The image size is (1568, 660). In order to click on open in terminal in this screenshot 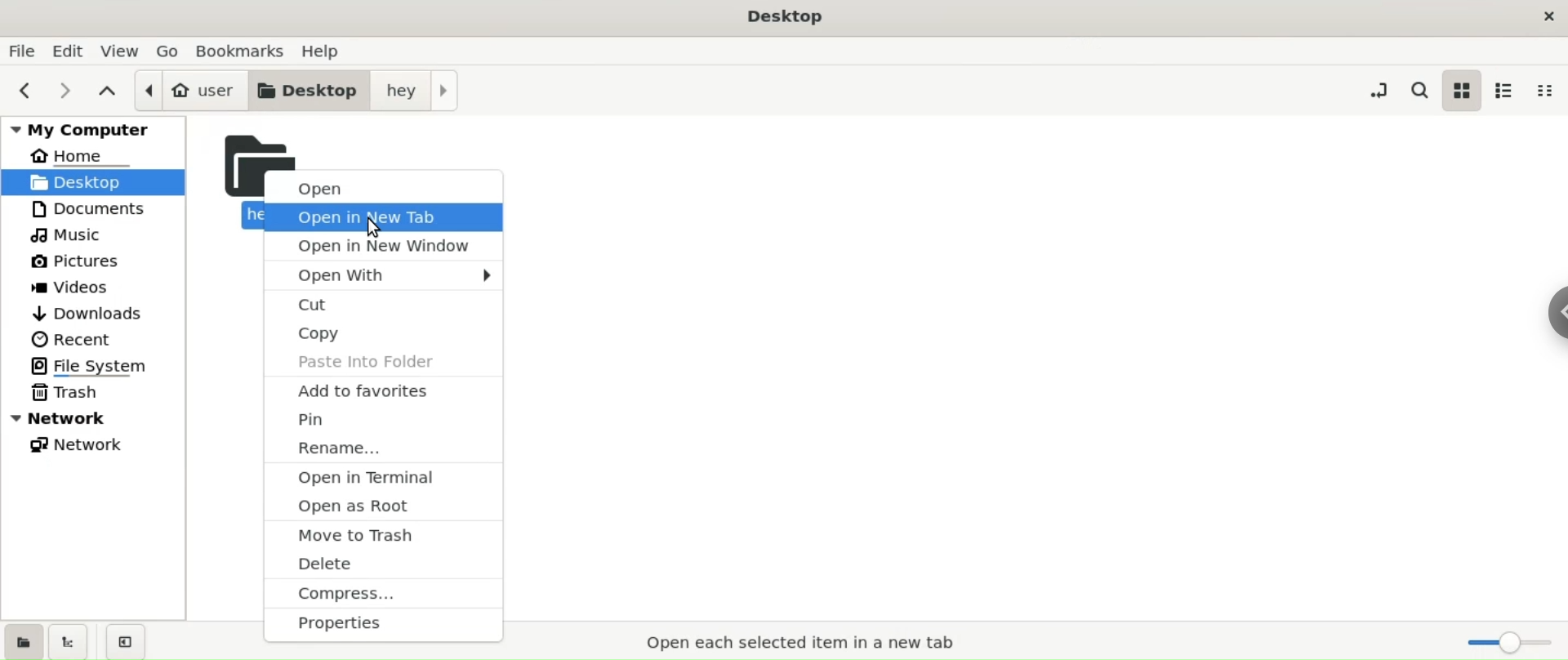, I will do `click(383, 476)`.